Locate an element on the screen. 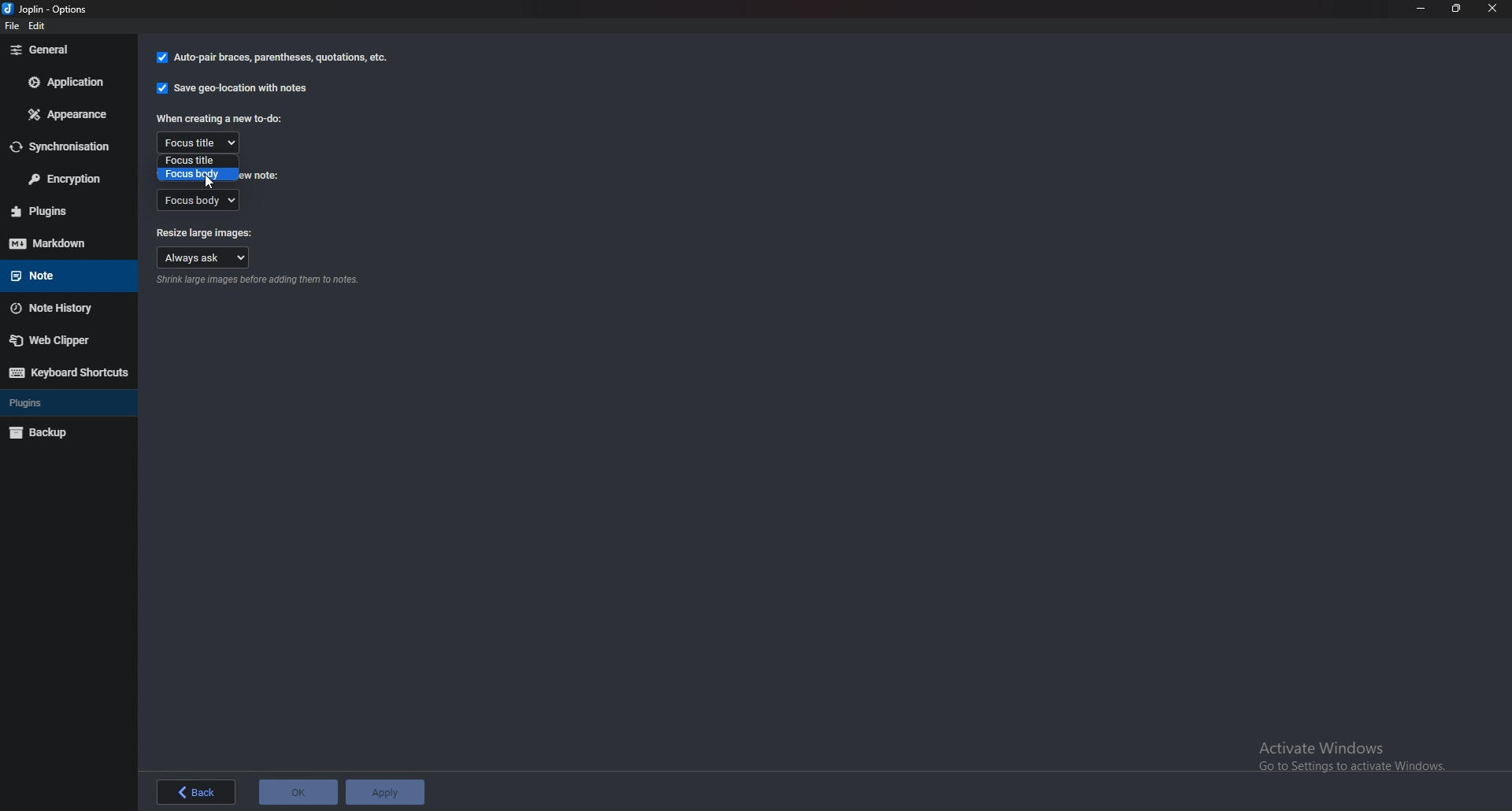 Image resolution: width=1512 pixels, height=811 pixels. Always ask is located at coordinates (205, 258).